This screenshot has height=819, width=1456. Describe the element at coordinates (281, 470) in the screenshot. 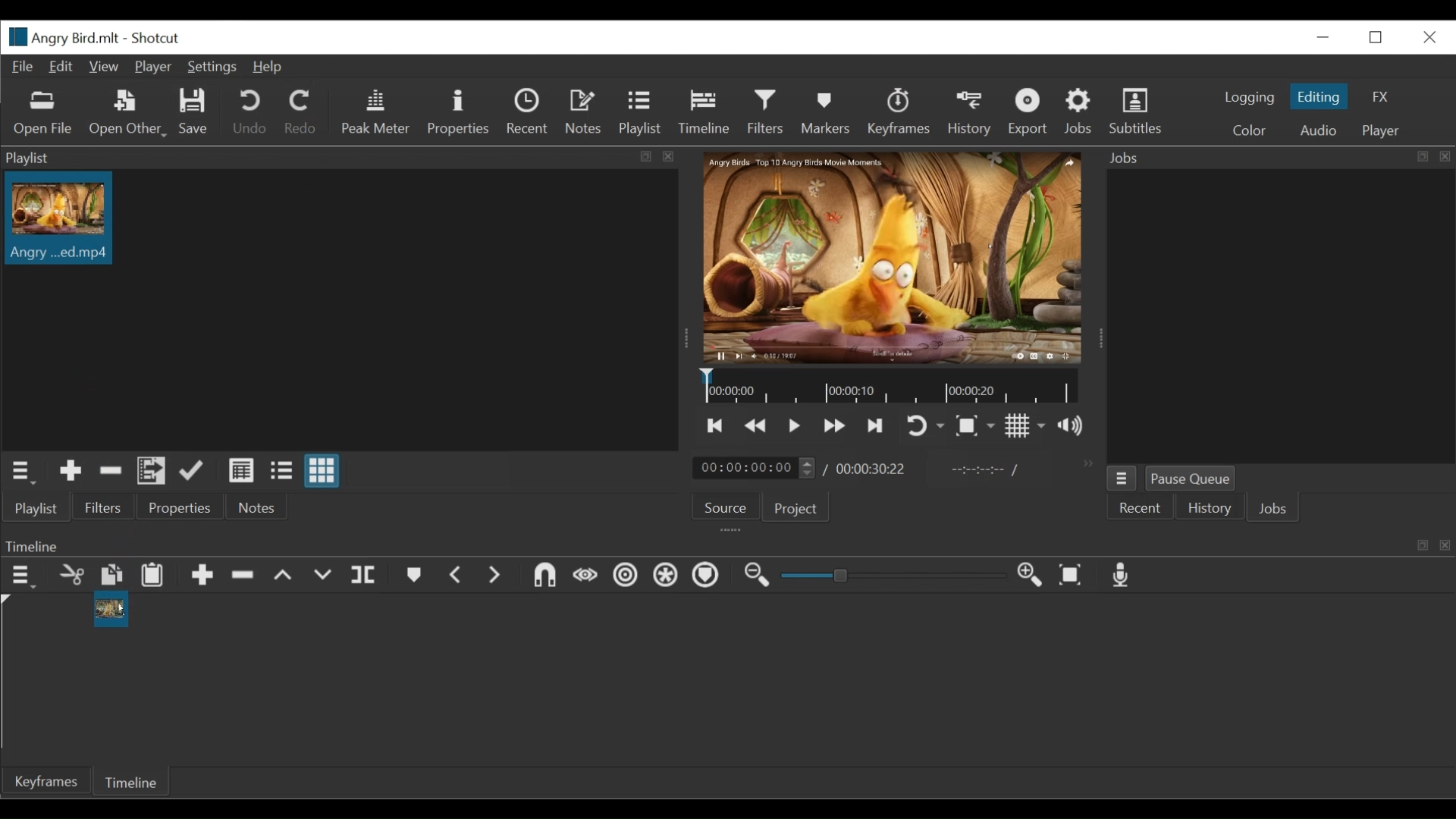

I see `View as files` at that location.